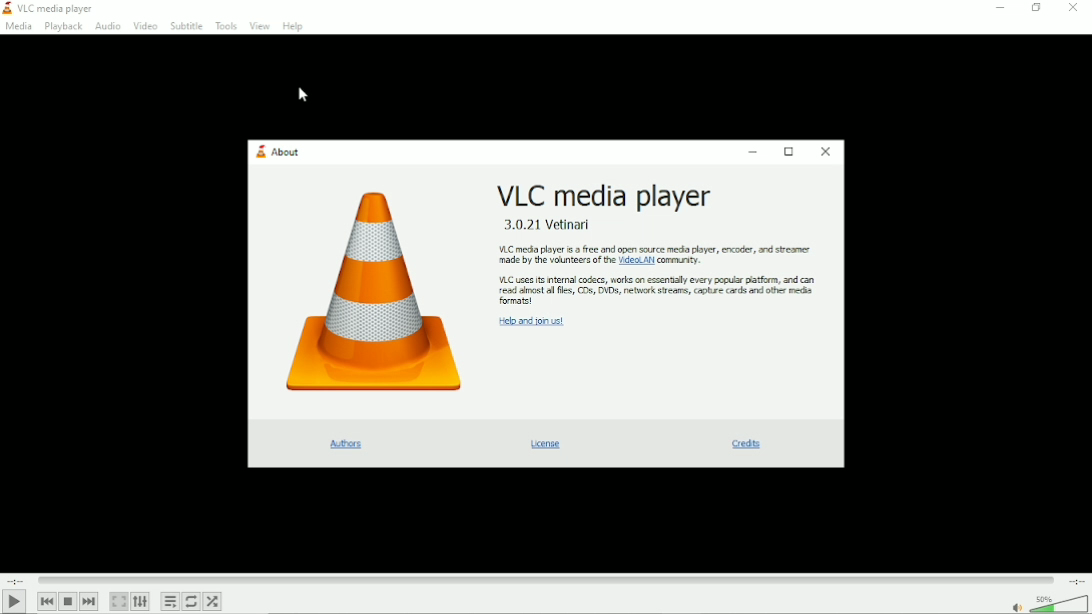 The height and width of the screenshot is (614, 1092). Describe the element at coordinates (213, 601) in the screenshot. I see `Random` at that location.